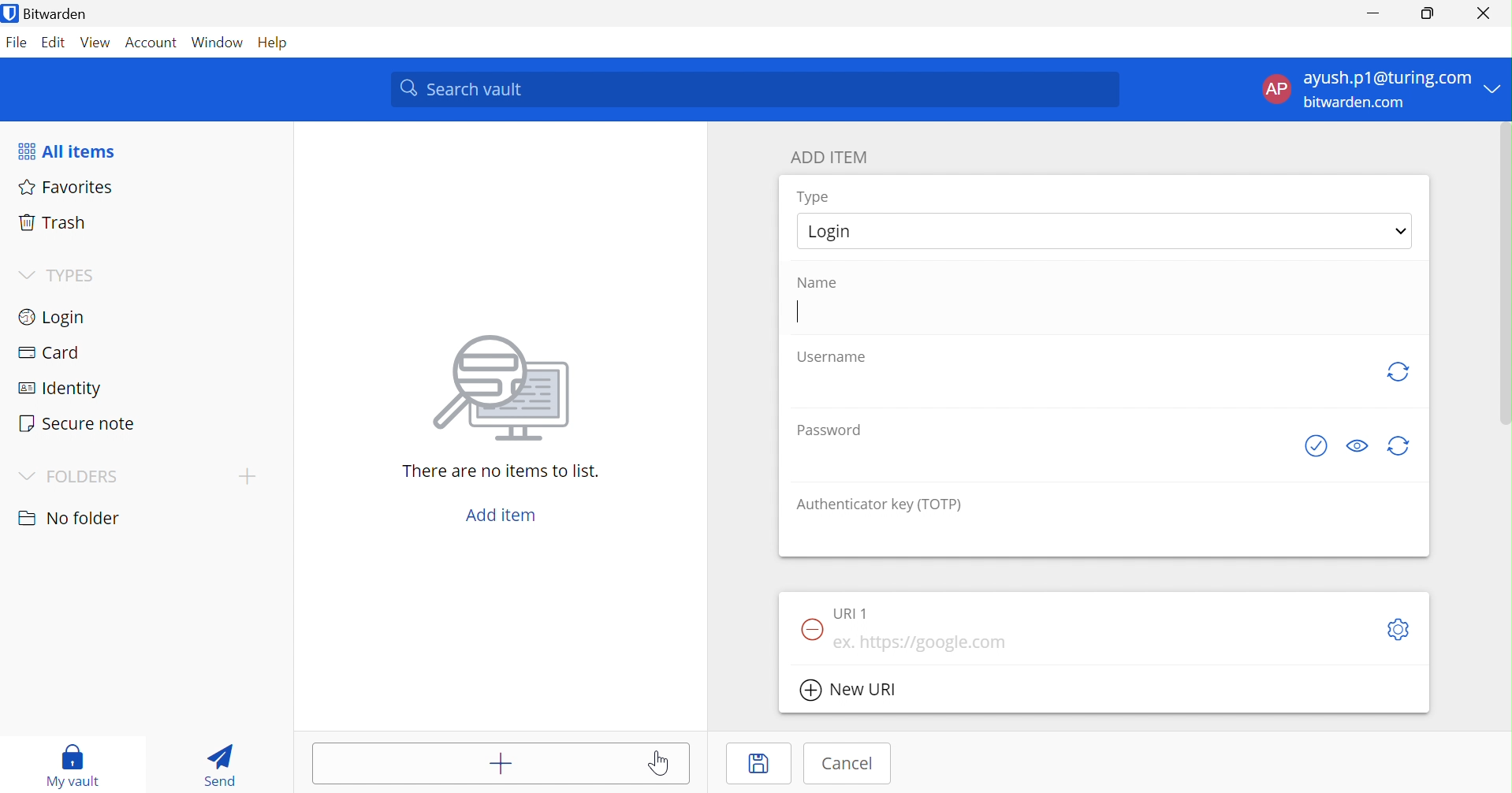 The width and height of the screenshot is (1512, 793). I want to click on Drop Down, so click(28, 477).